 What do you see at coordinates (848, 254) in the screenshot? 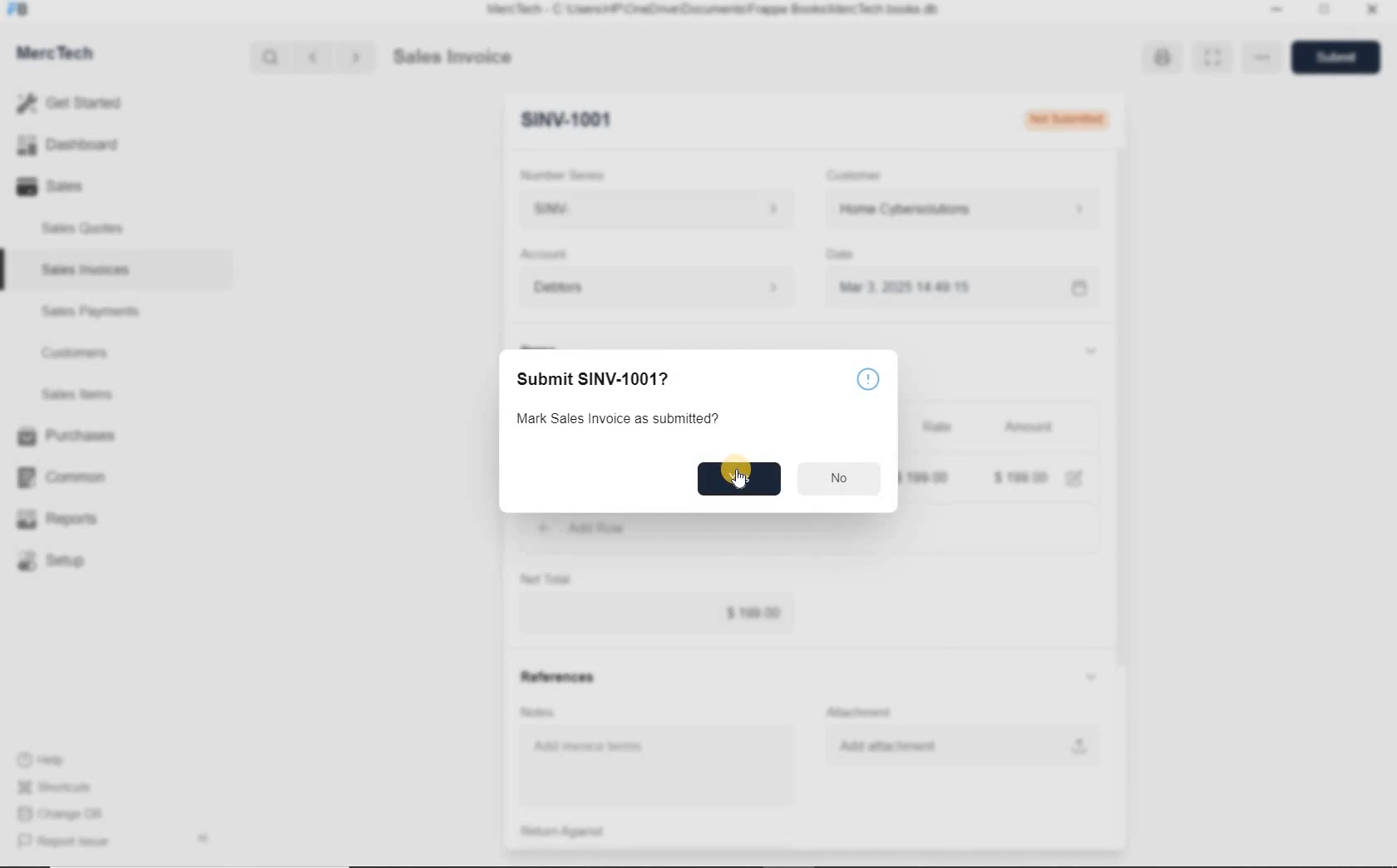
I see `Date` at bounding box center [848, 254].